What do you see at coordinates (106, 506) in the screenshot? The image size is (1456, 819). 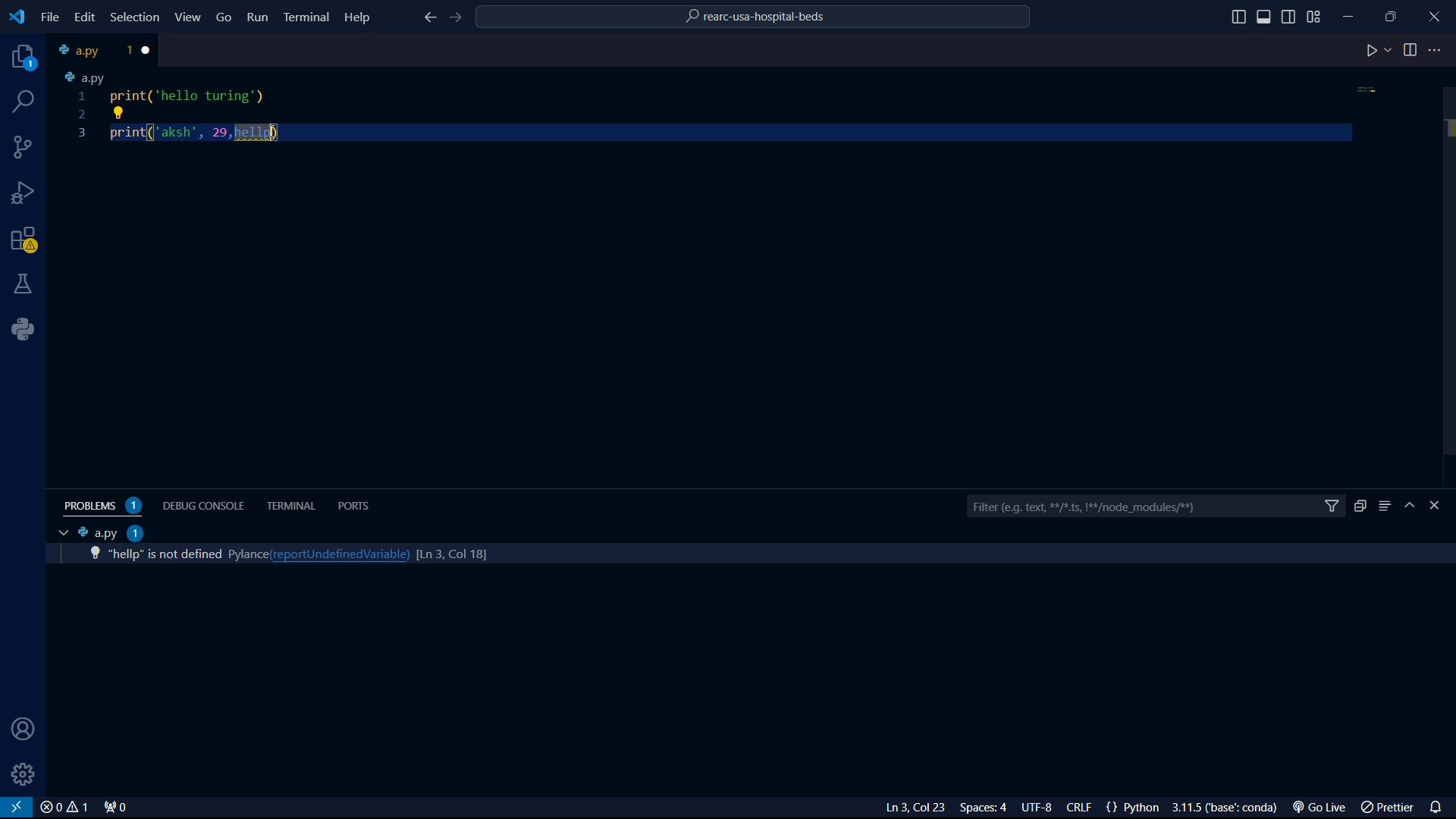 I see `problems 2` at bounding box center [106, 506].